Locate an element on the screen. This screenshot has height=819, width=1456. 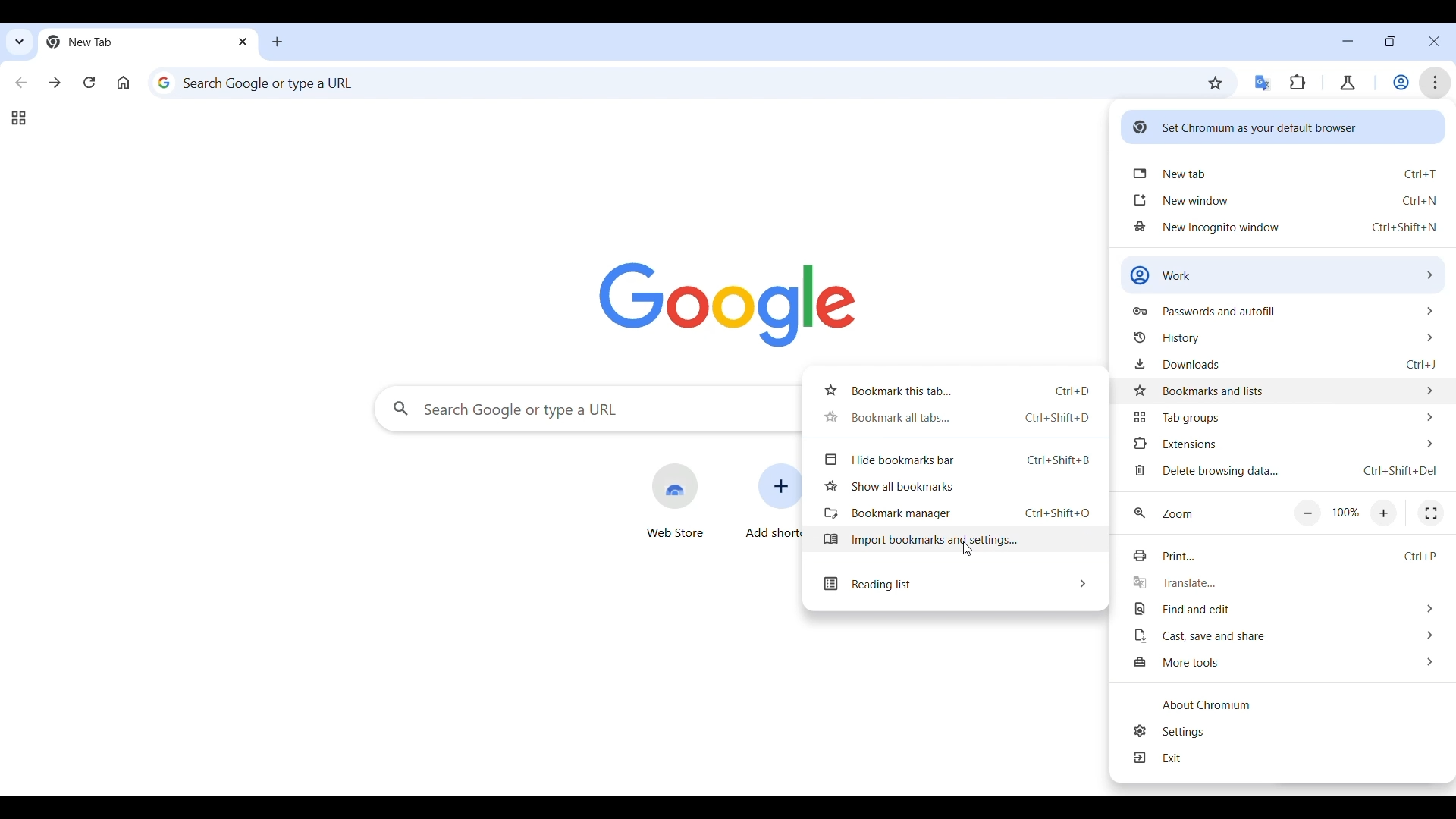
Tab groups is located at coordinates (1285, 419).